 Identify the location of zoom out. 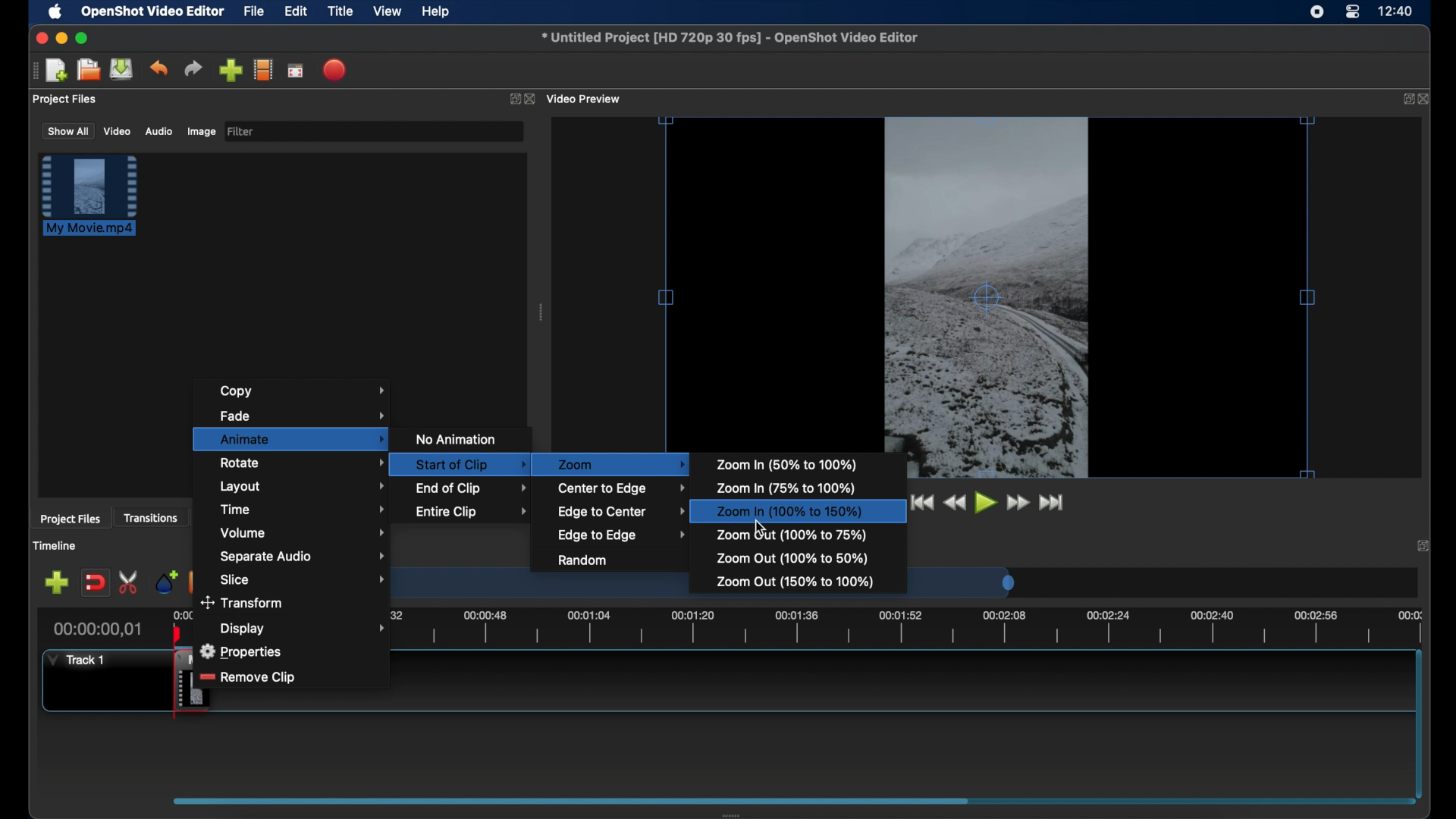
(792, 557).